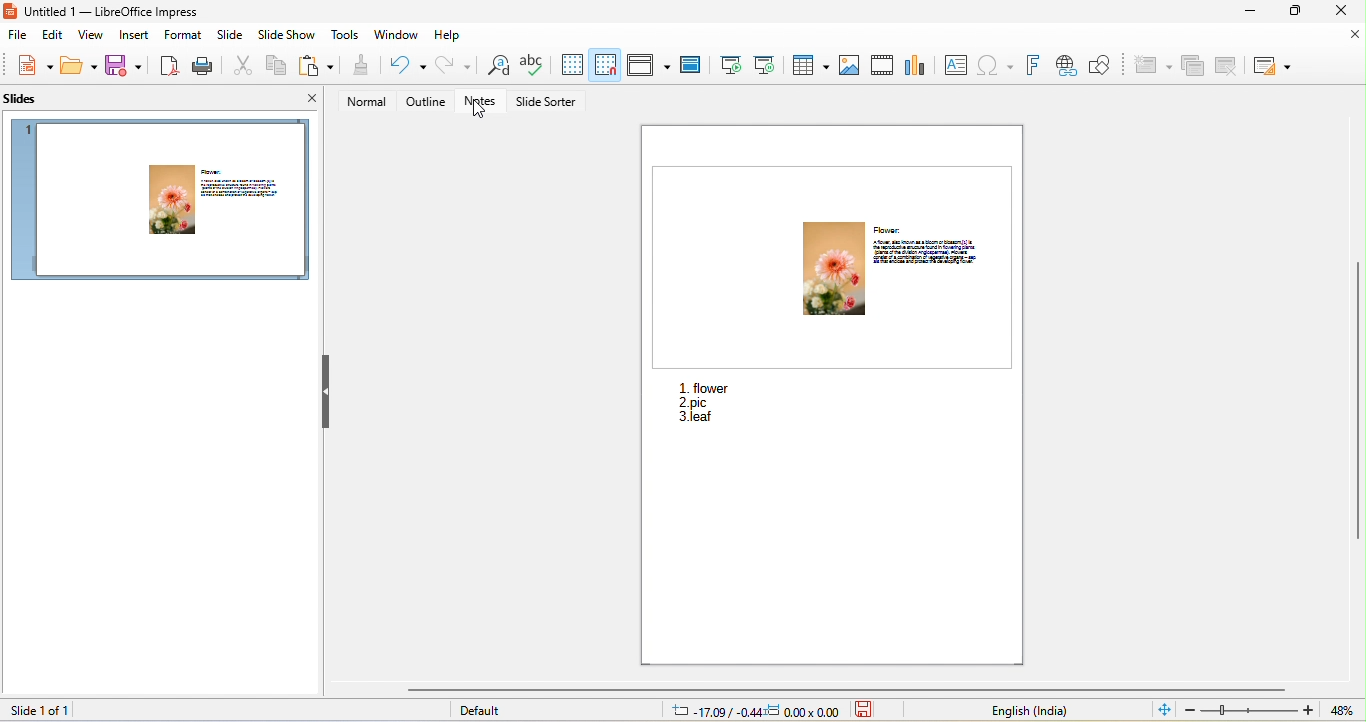  What do you see at coordinates (809, 63) in the screenshot?
I see `table` at bounding box center [809, 63].